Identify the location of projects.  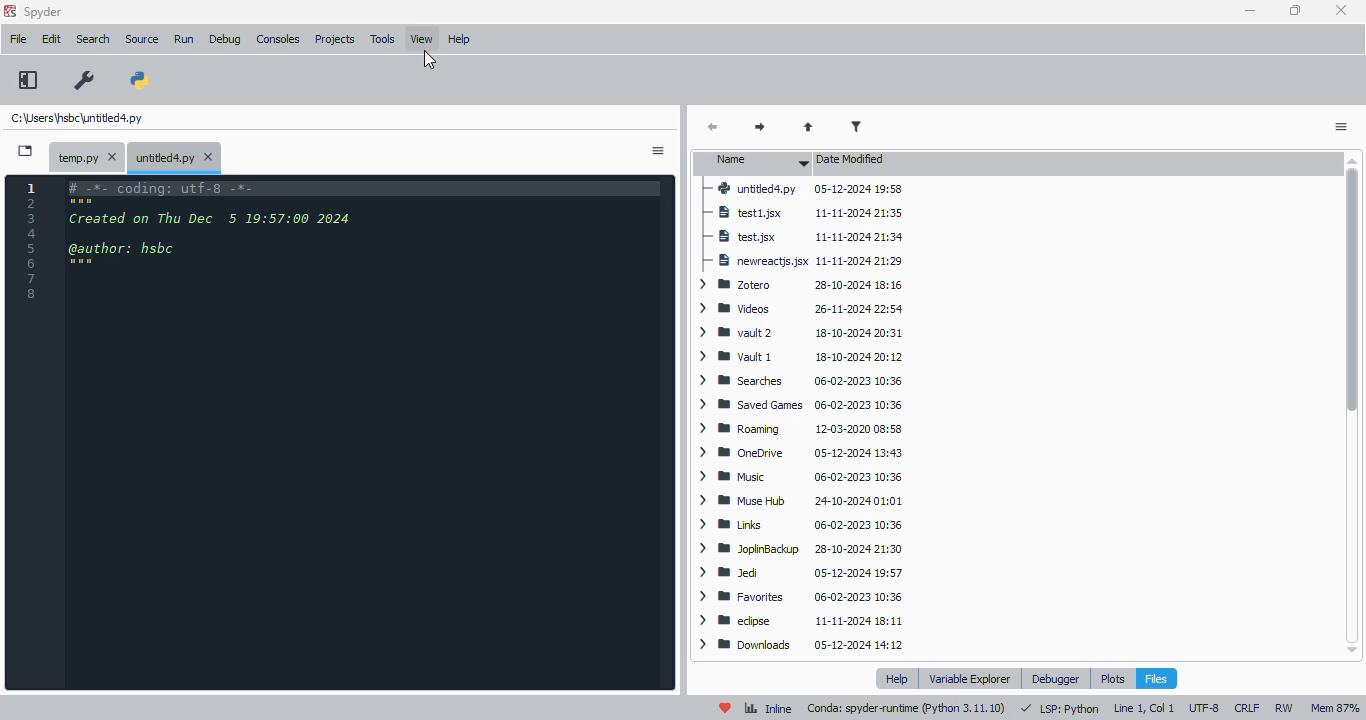
(335, 39).